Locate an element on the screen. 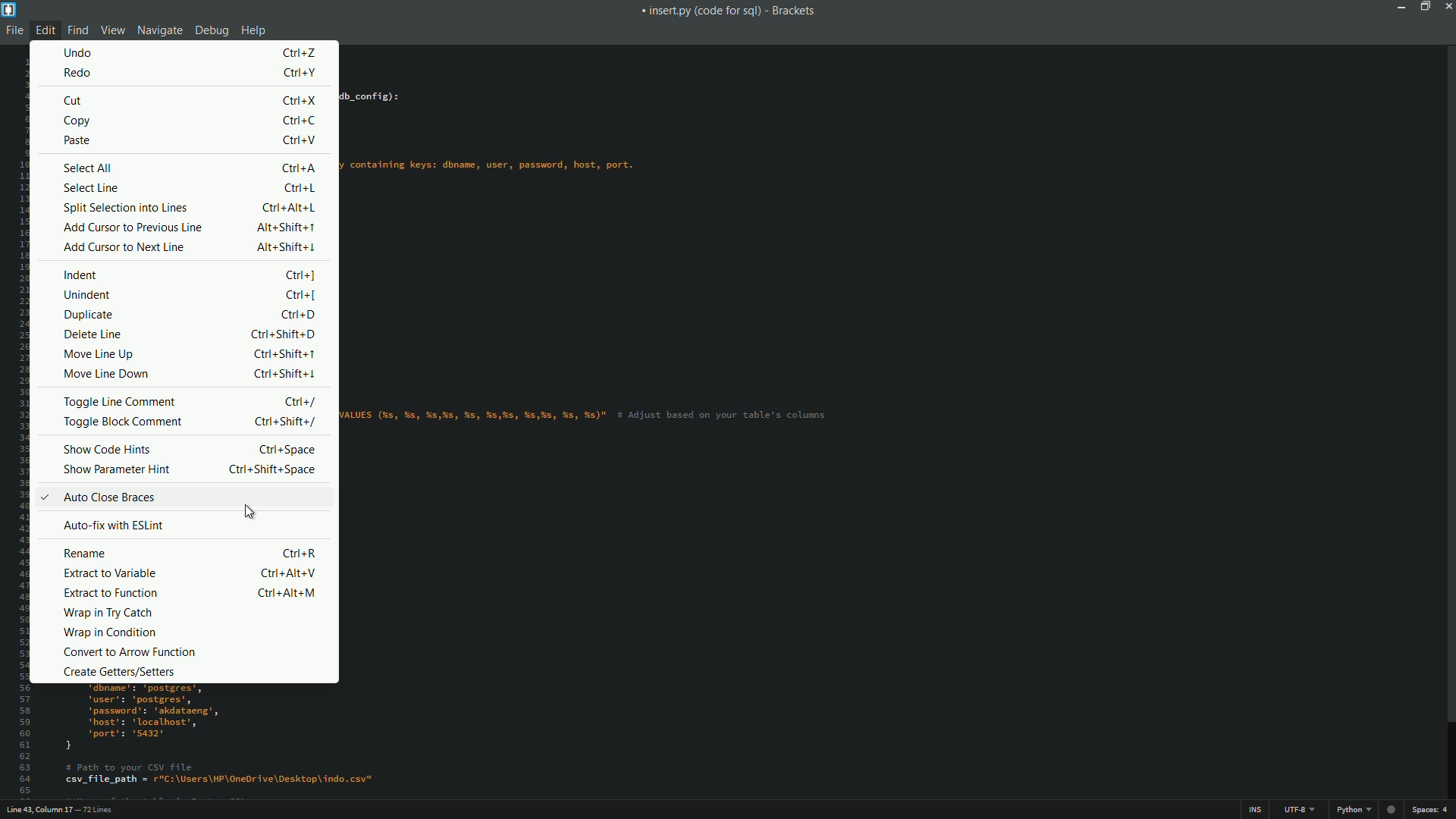  show parameter hint is located at coordinates (116, 470).